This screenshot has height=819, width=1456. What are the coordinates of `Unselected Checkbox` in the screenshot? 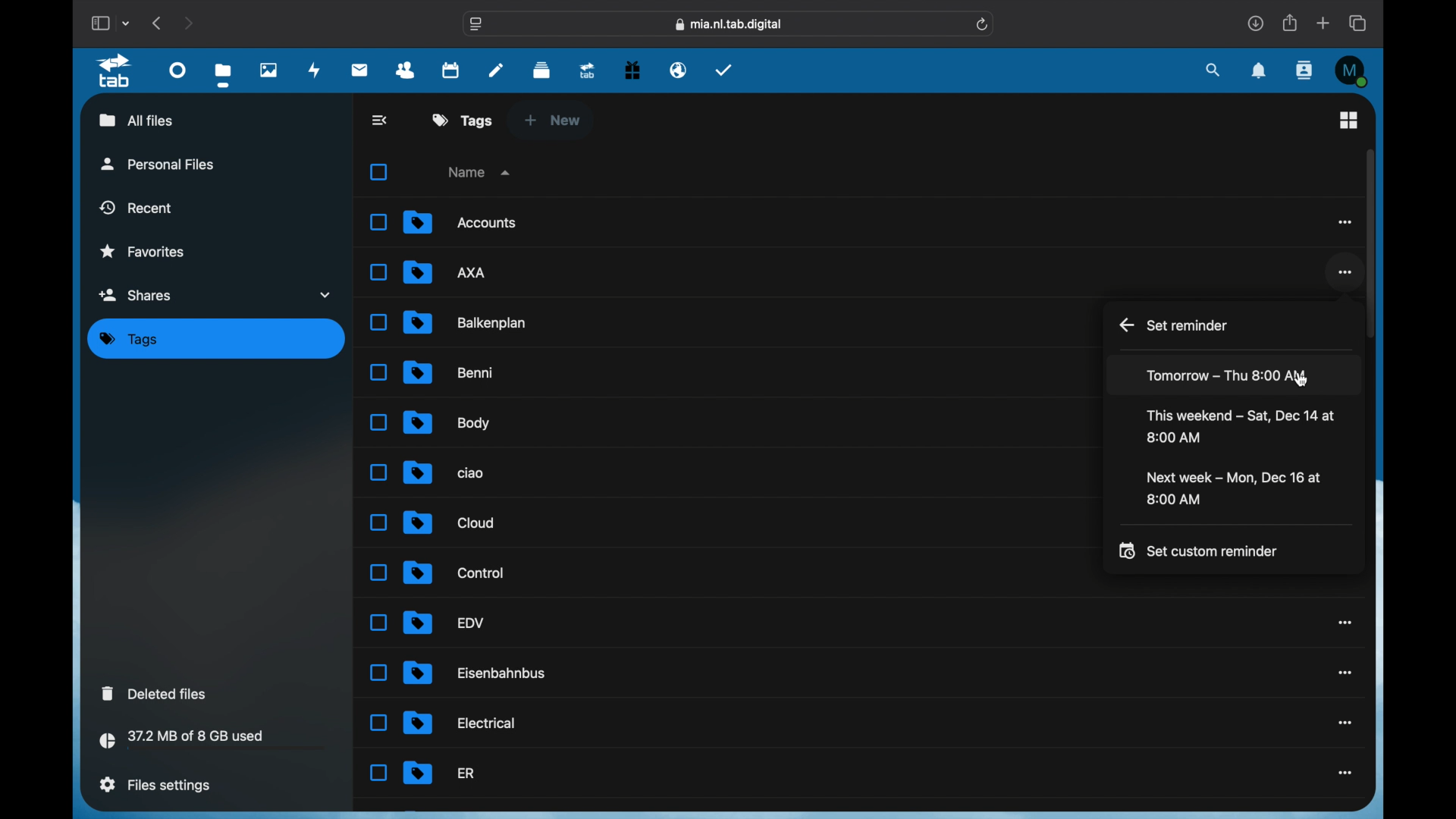 It's located at (377, 672).